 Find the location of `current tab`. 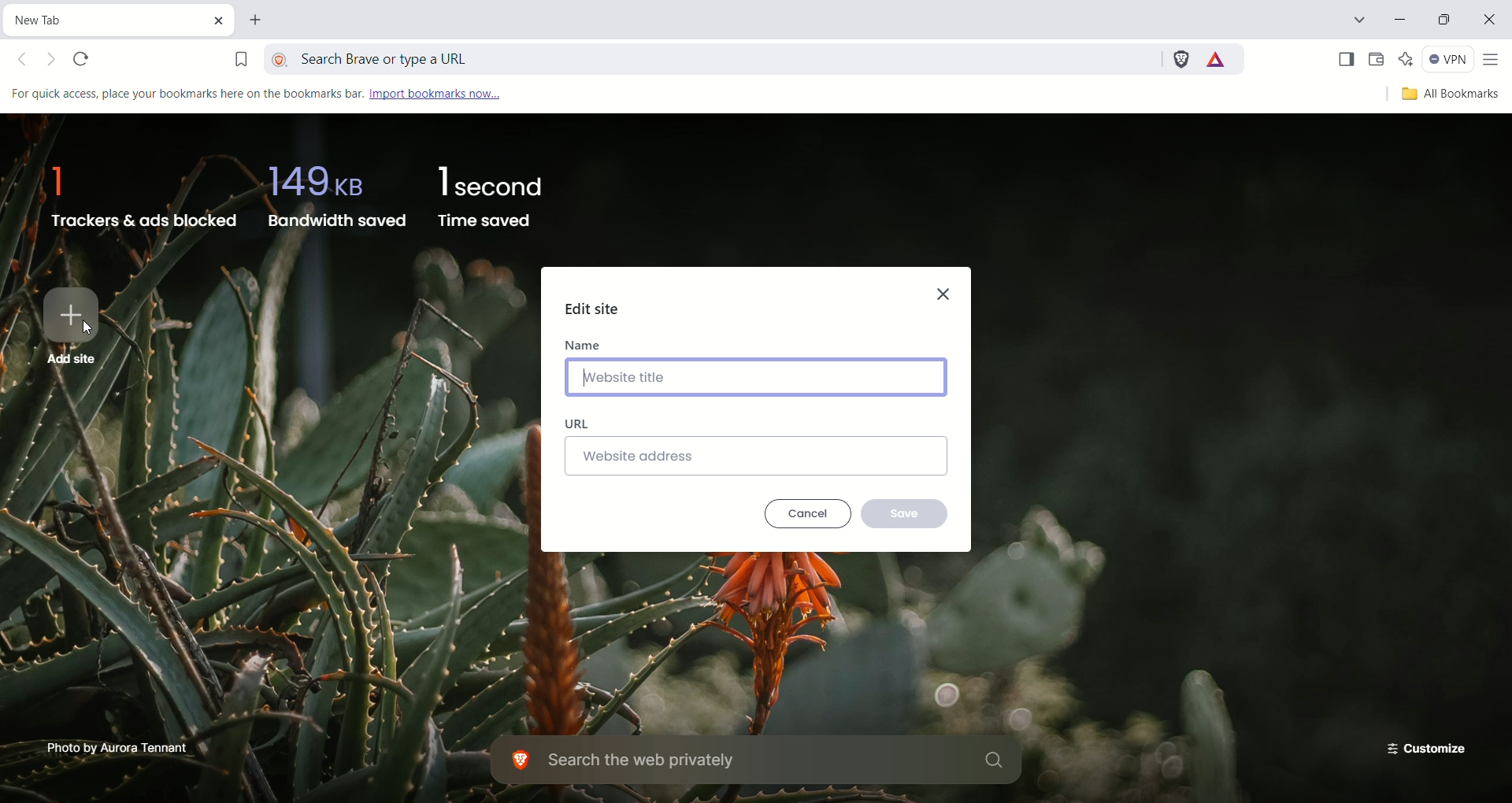

current tab is located at coordinates (106, 18).